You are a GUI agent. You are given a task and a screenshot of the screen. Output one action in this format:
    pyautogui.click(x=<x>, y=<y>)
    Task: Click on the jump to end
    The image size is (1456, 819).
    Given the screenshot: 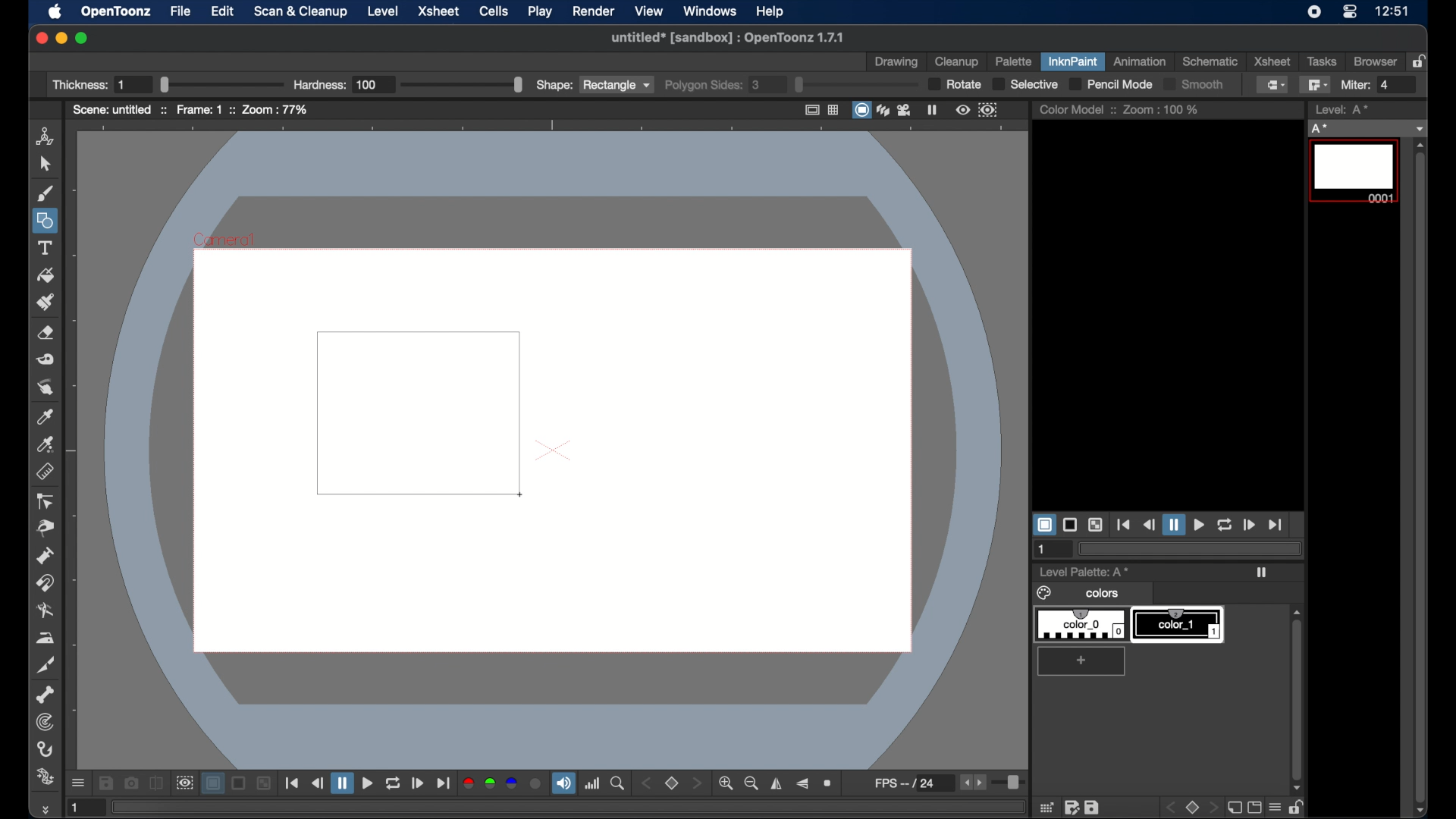 What is the action you would take?
    pyautogui.click(x=1276, y=525)
    